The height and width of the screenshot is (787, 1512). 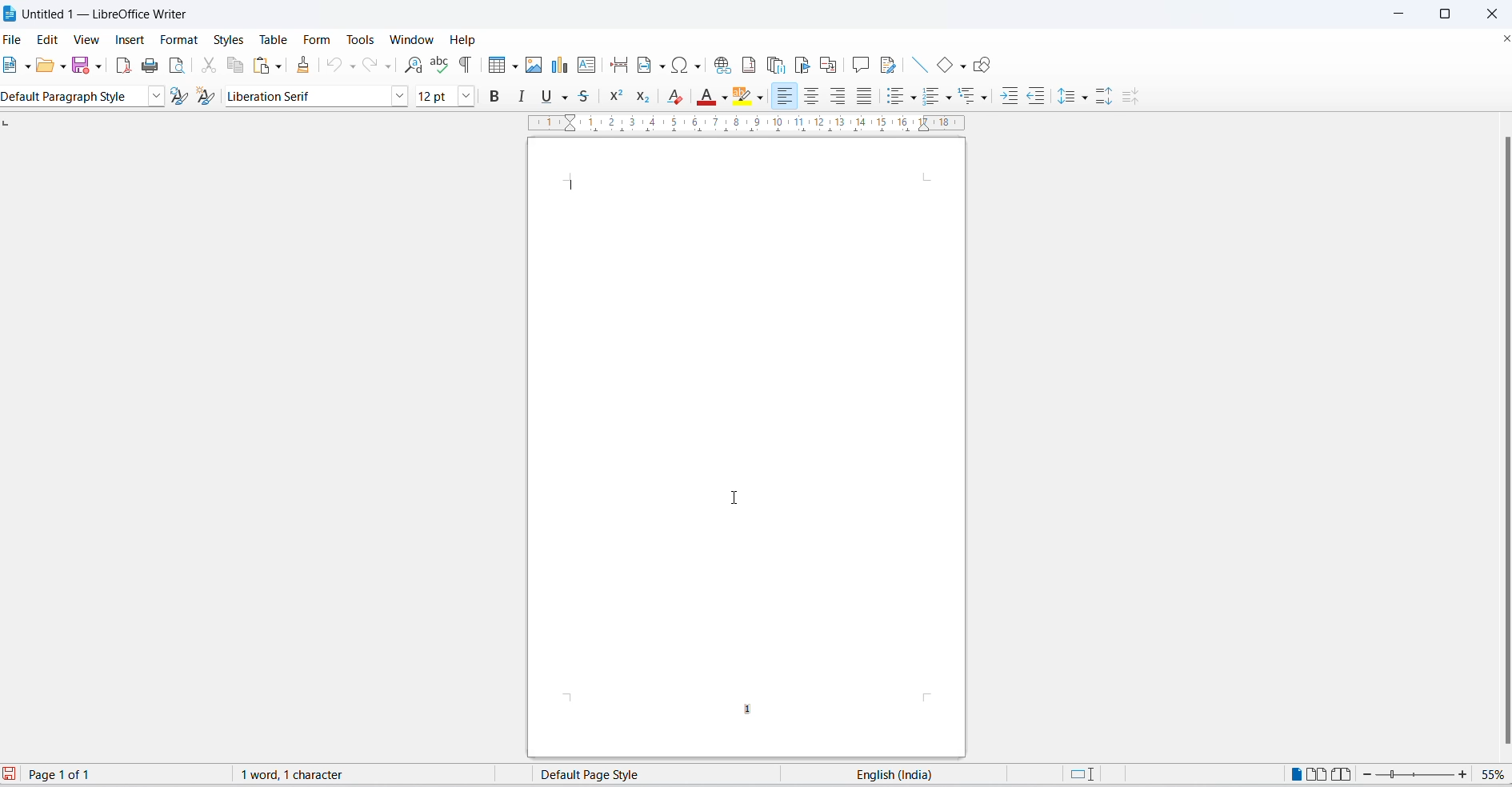 I want to click on tools, so click(x=360, y=39).